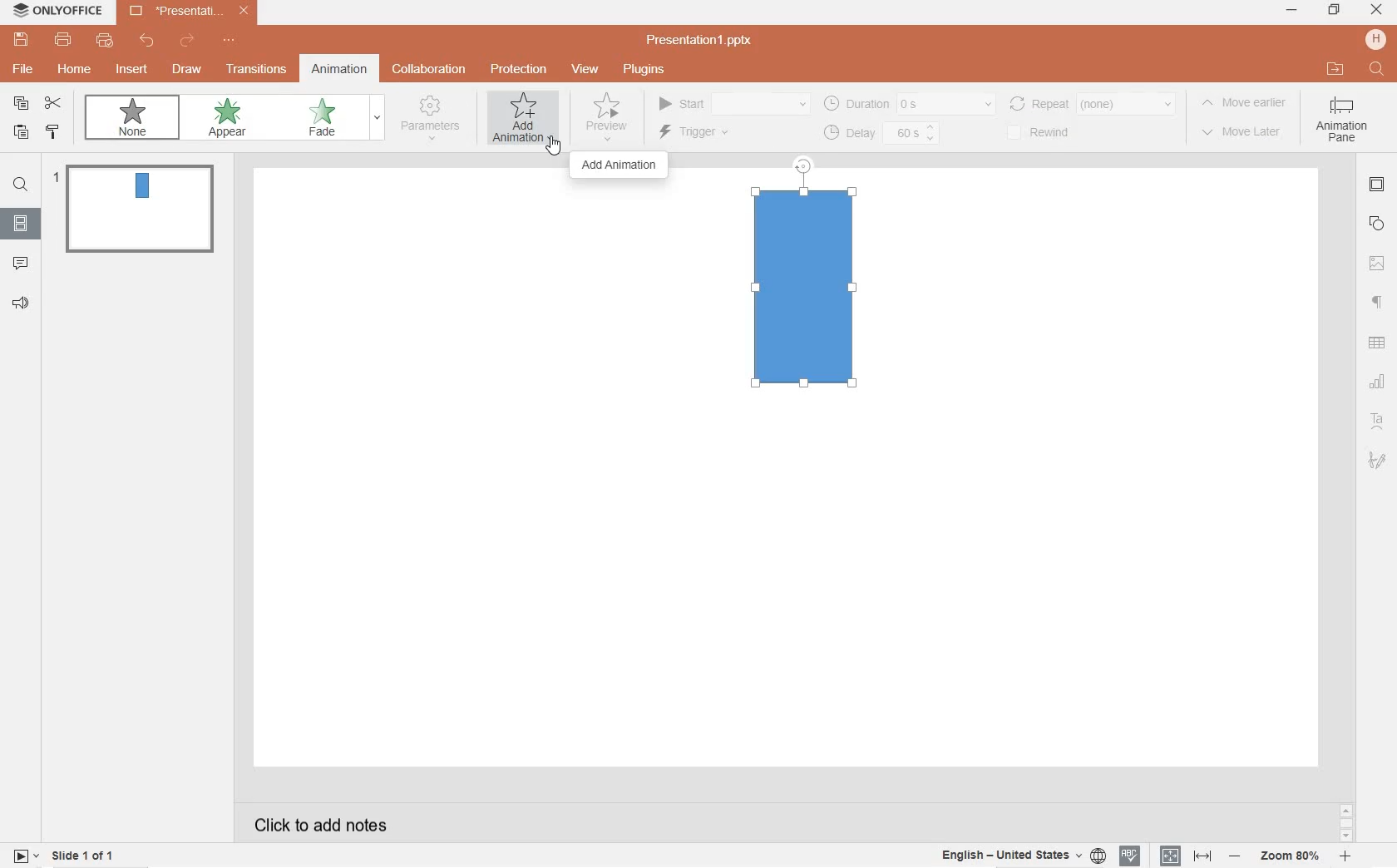  Describe the element at coordinates (909, 103) in the screenshot. I see `duration` at that location.